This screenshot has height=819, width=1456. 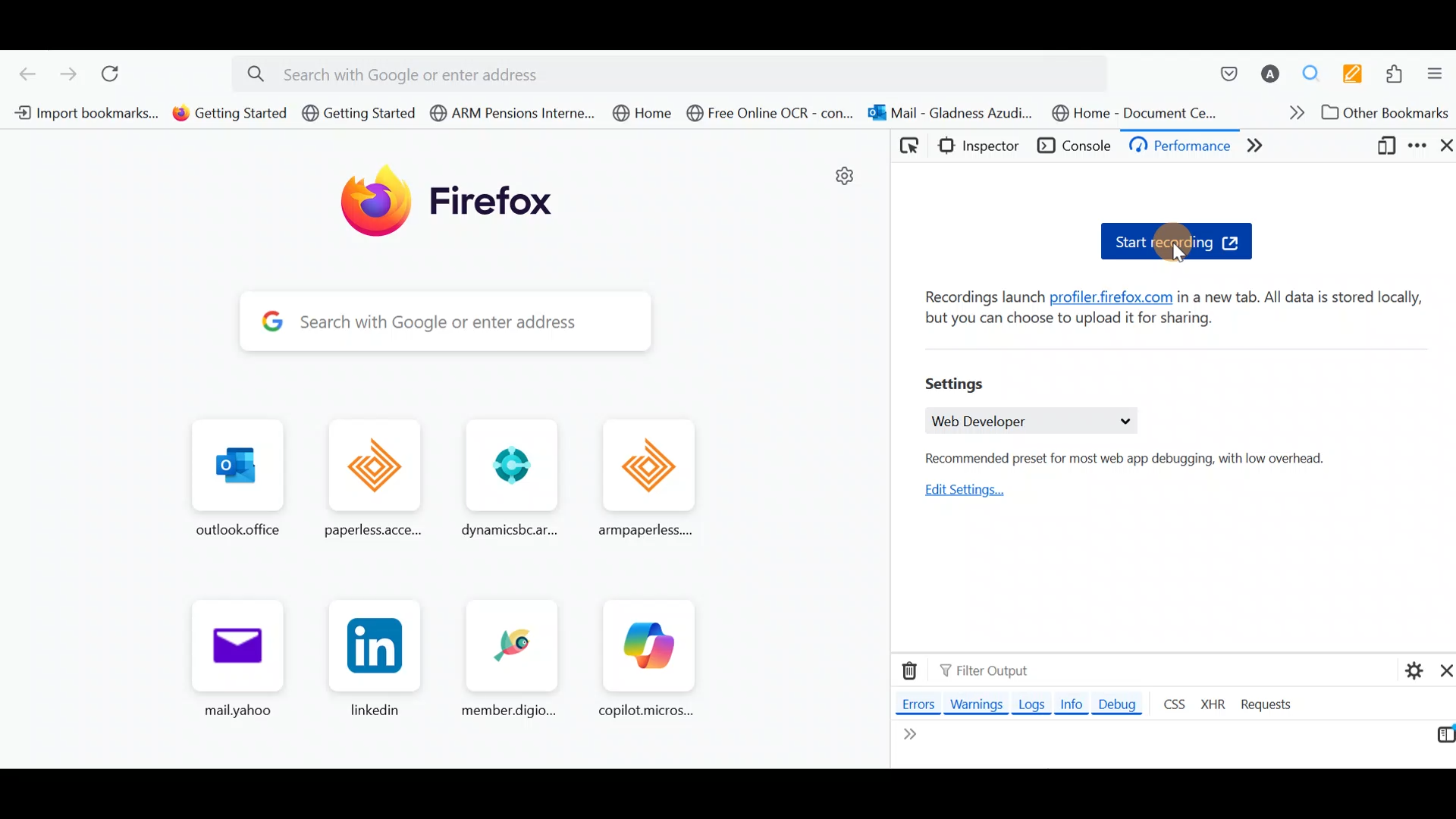 I want to click on Extensions, so click(x=1399, y=76).